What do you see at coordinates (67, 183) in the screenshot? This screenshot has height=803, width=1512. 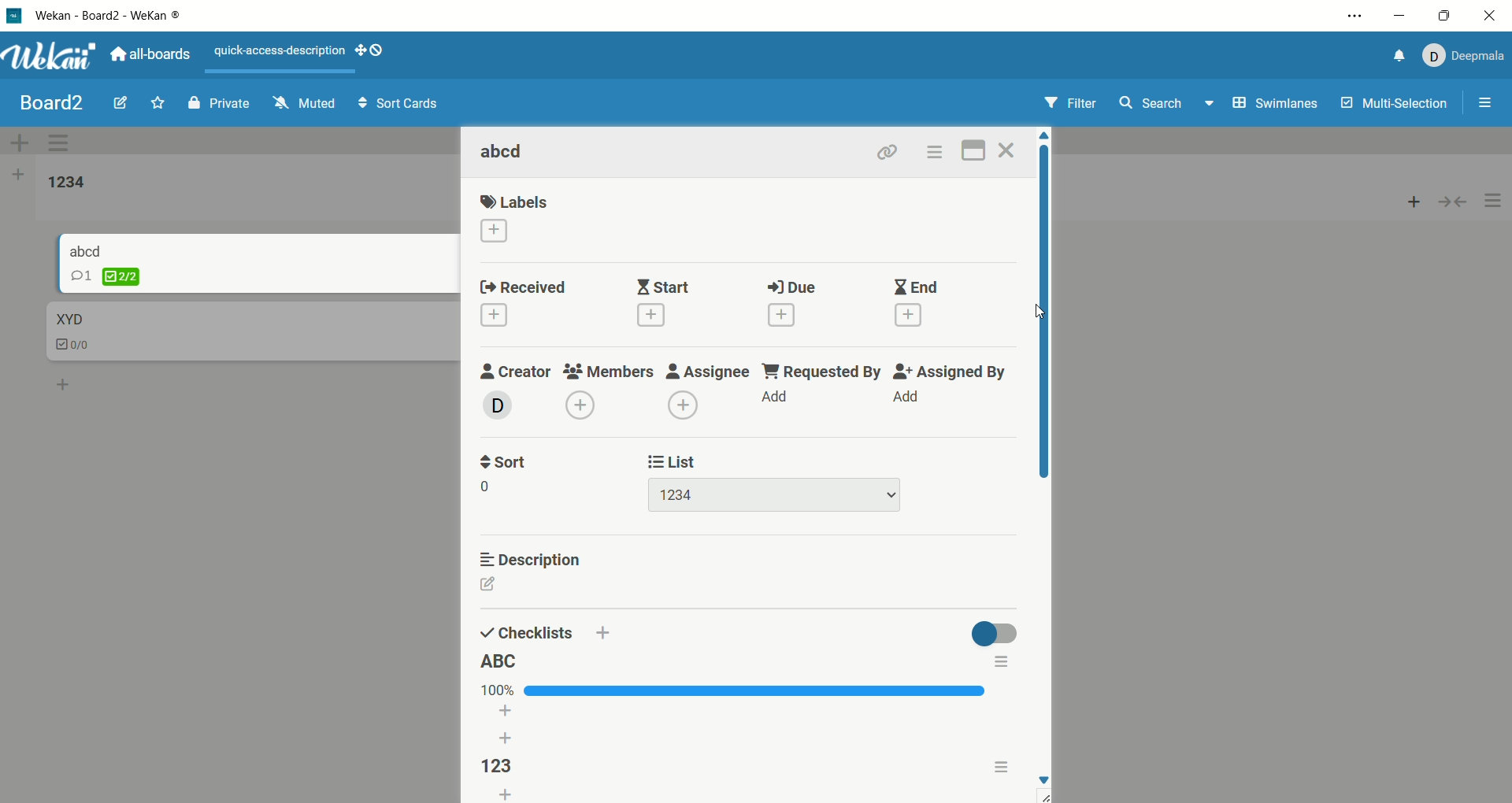 I see `list title` at bounding box center [67, 183].